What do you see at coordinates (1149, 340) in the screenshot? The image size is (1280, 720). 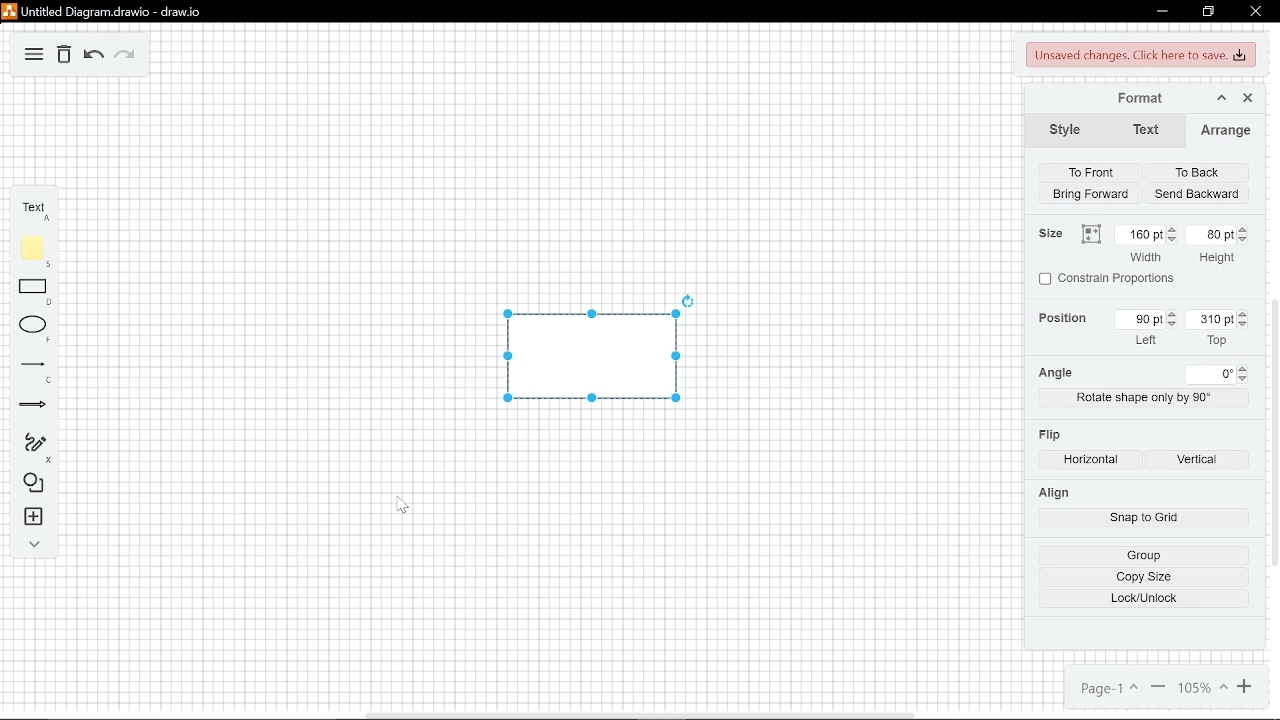 I see `left` at bounding box center [1149, 340].